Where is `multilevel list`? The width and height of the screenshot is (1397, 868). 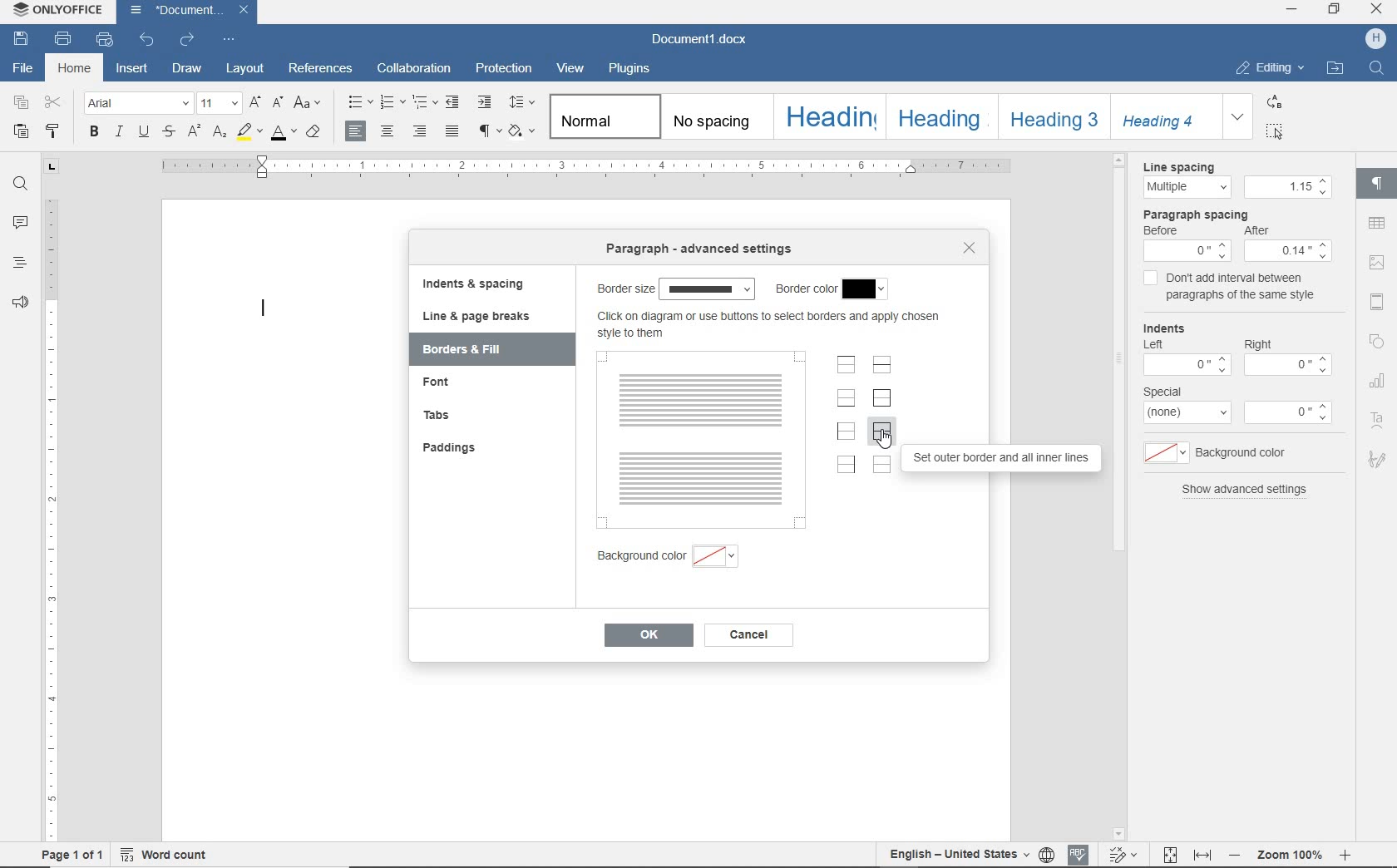 multilevel list is located at coordinates (423, 103).